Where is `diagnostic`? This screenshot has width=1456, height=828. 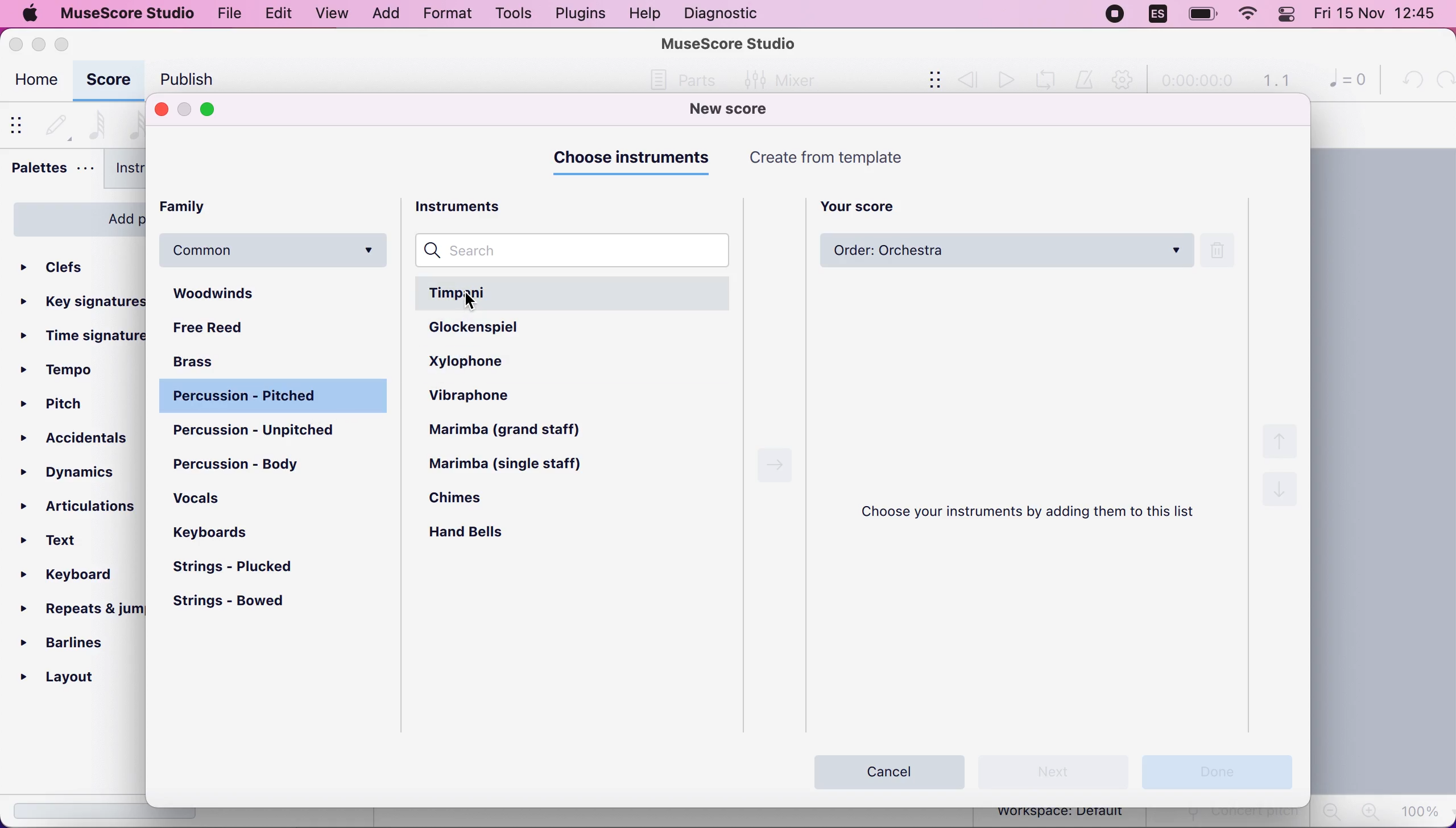 diagnostic is located at coordinates (725, 13).